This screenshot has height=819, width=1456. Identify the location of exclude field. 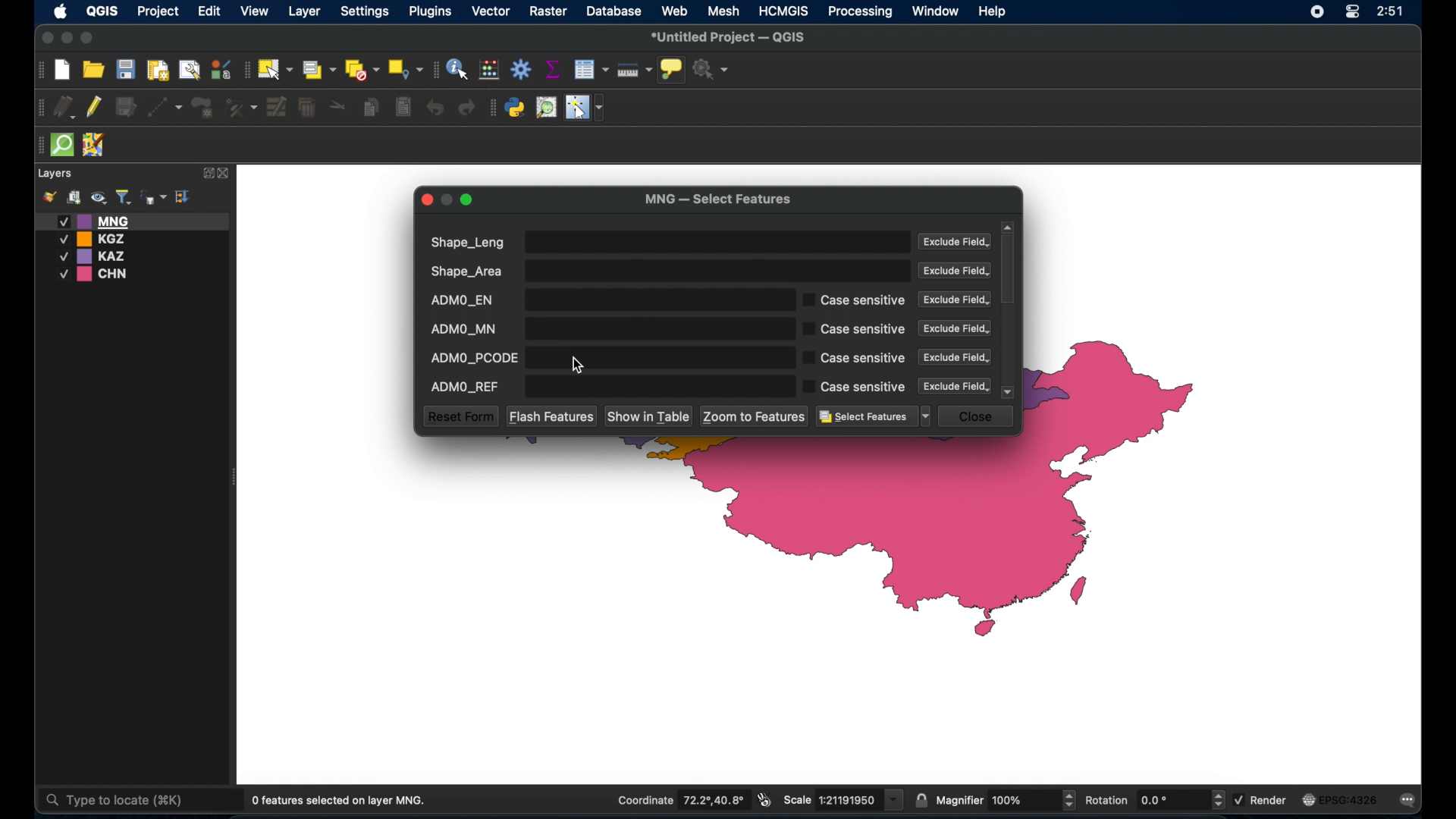
(956, 243).